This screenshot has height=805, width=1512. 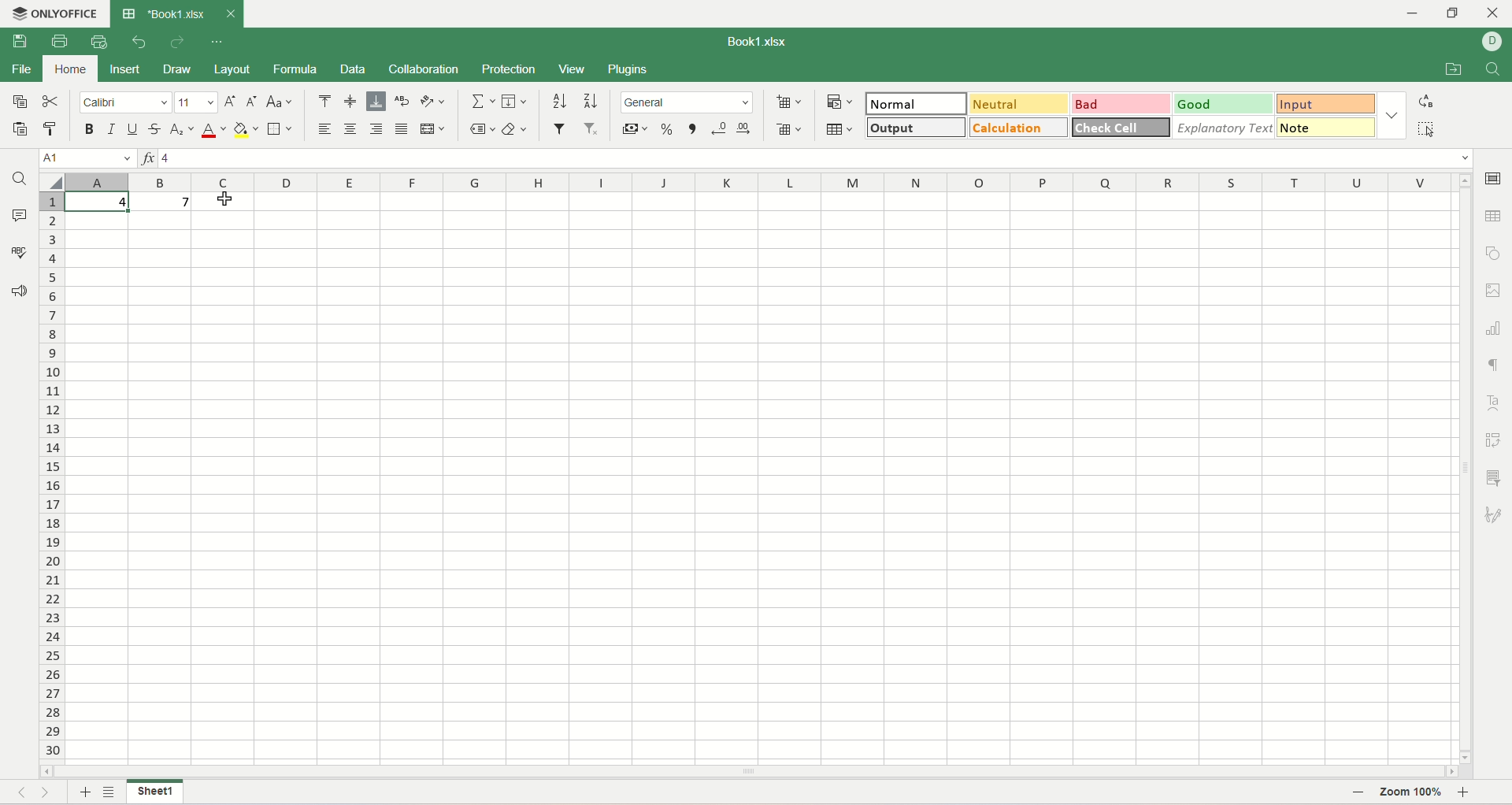 What do you see at coordinates (67, 11) in the screenshot?
I see `onlyoffice` at bounding box center [67, 11].